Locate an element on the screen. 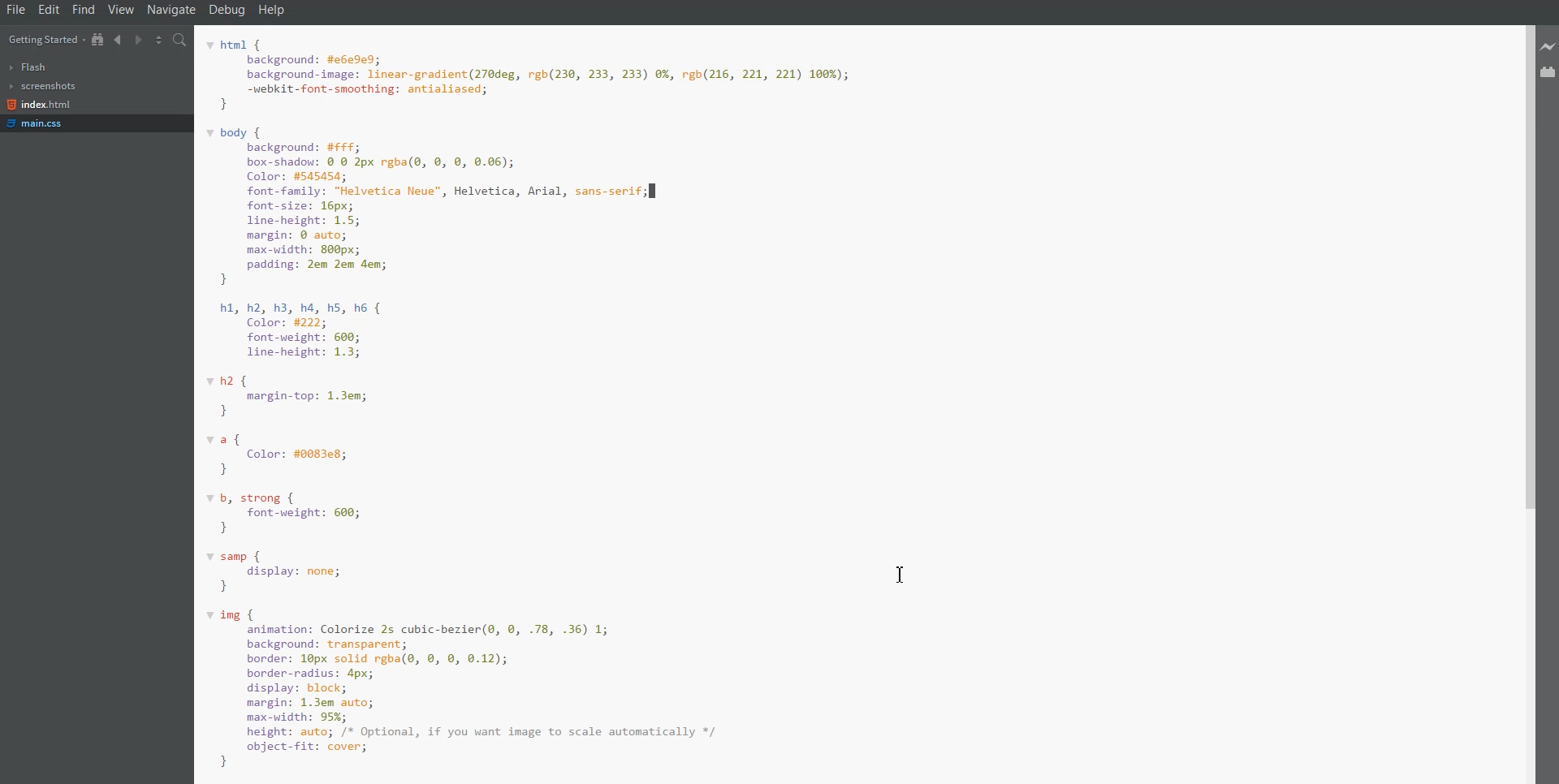 This screenshot has width=1559, height=784. Show in File Tree is located at coordinates (98, 39).